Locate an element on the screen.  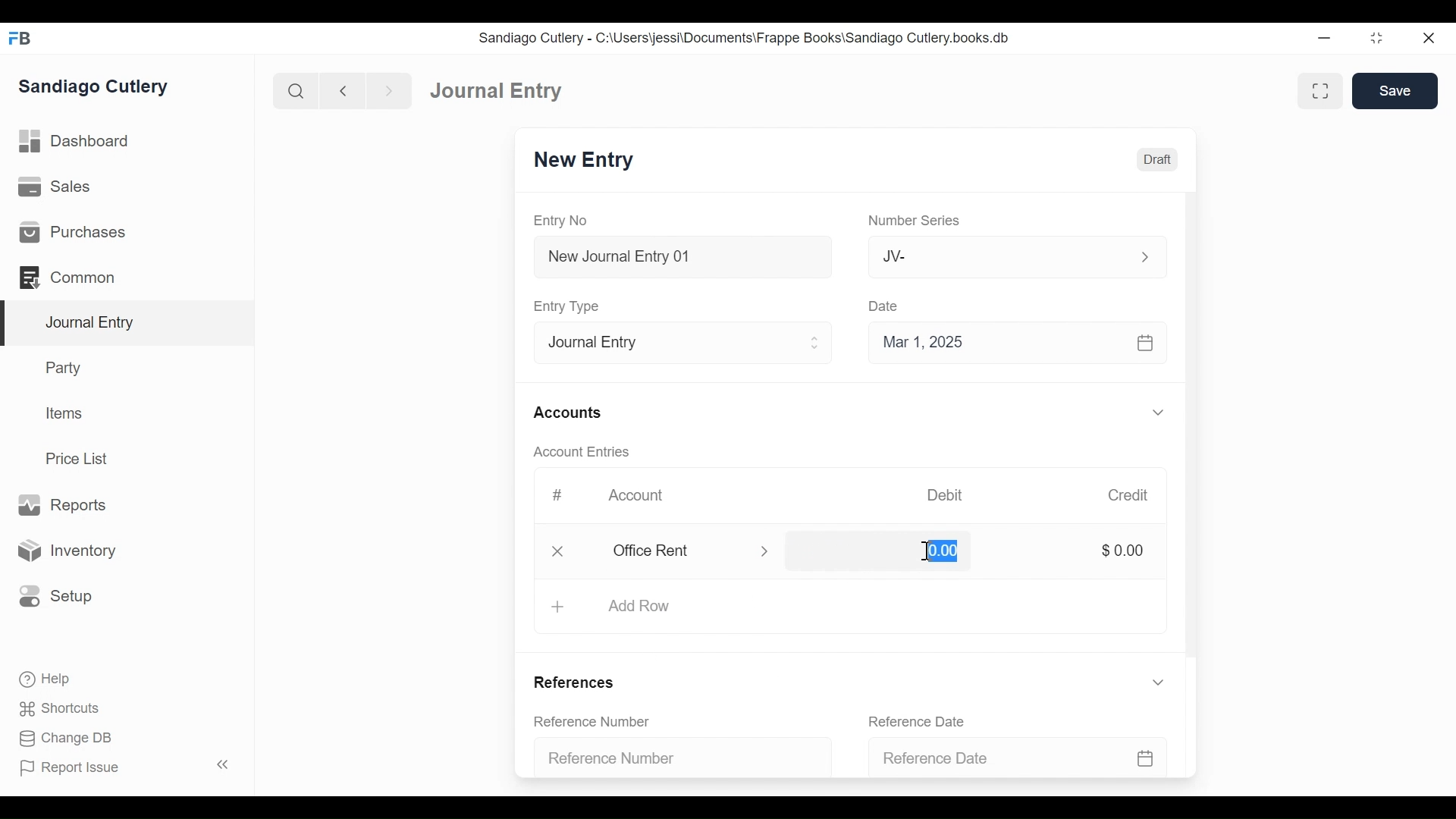
Add Row is located at coordinates (837, 608).